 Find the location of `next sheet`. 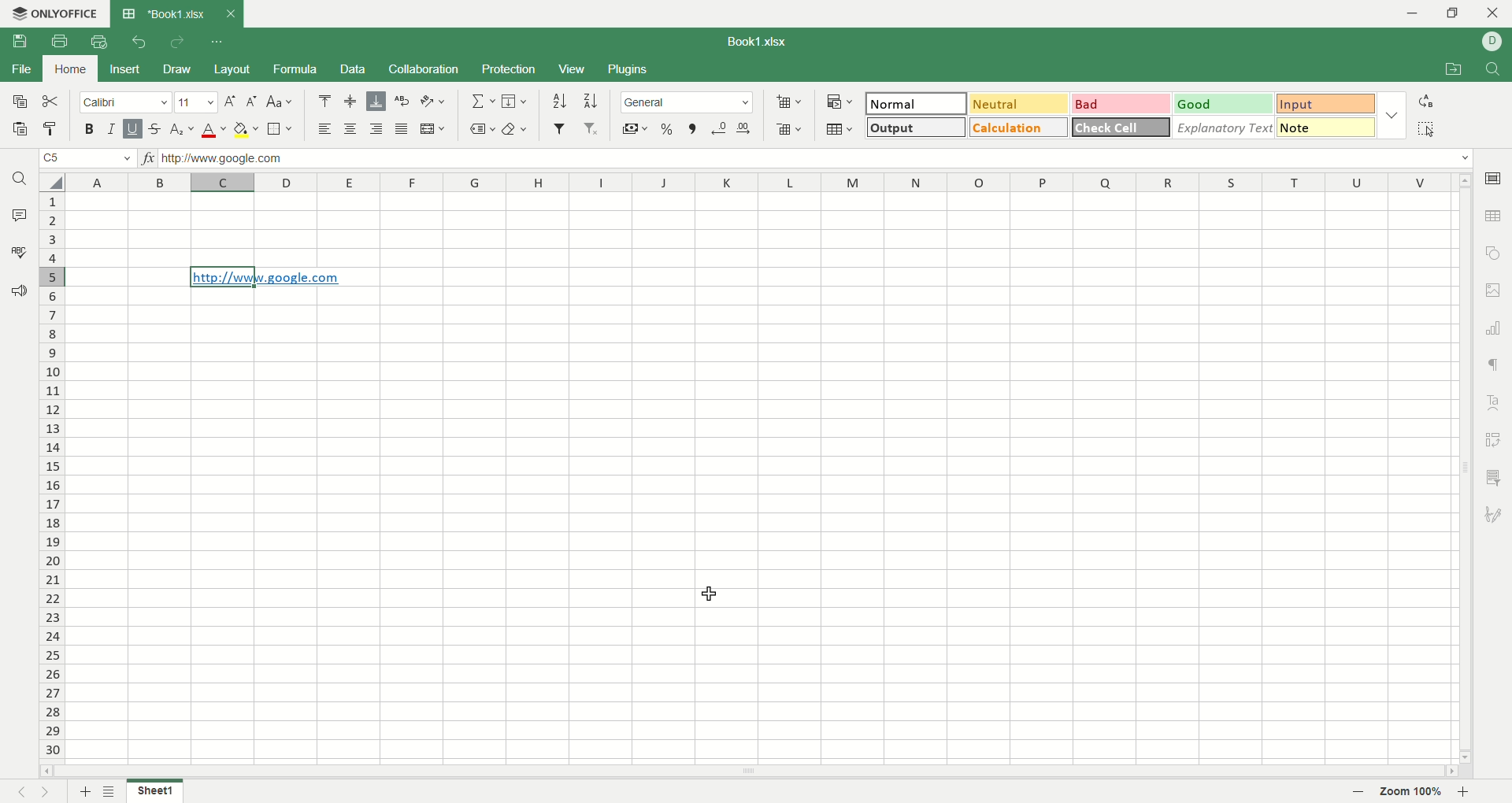

next sheet is located at coordinates (50, 792).